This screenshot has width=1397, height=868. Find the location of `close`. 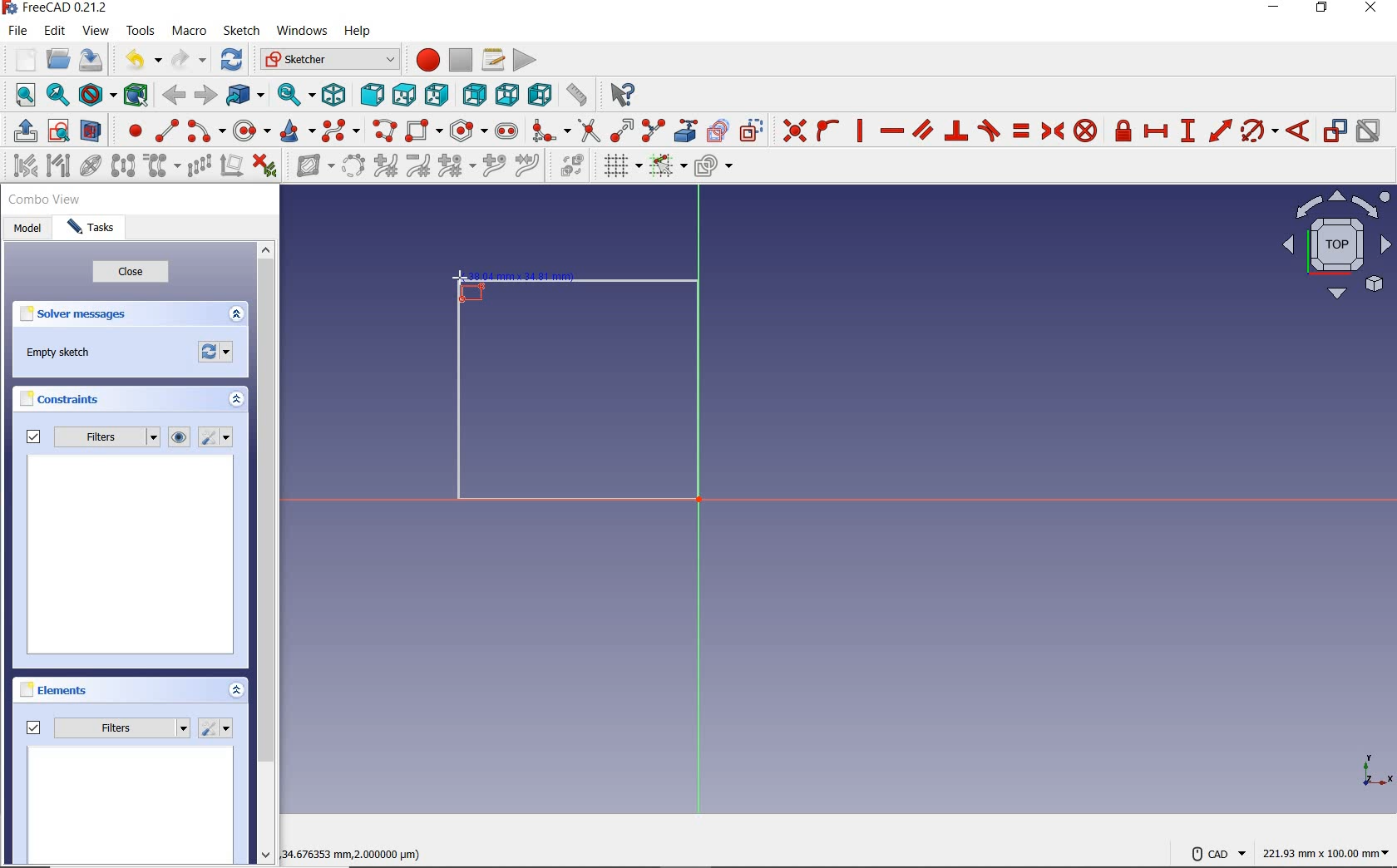

close is located at coordinates (131, 274).